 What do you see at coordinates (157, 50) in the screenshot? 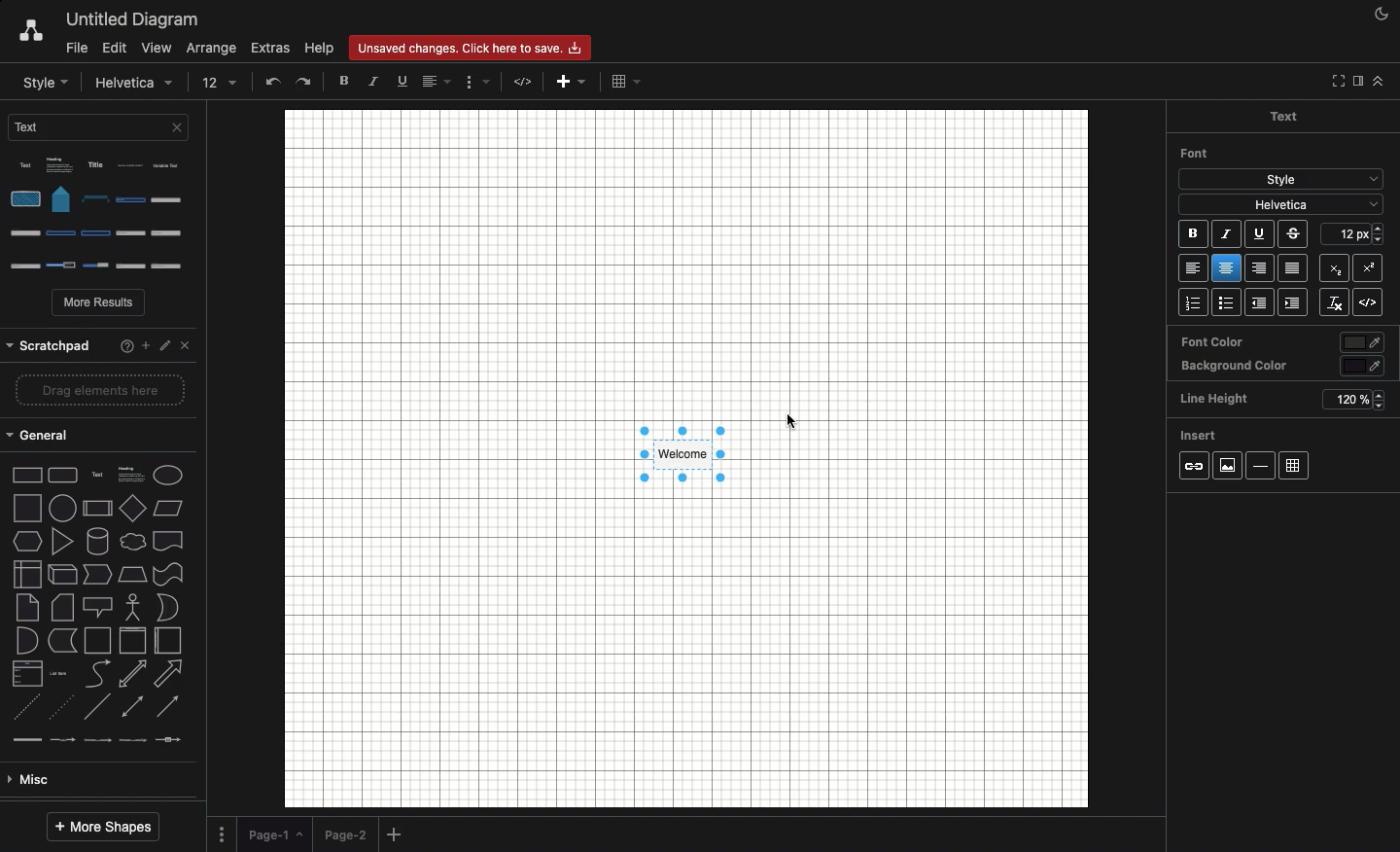
I see `View` at bounding box center [157, 50].